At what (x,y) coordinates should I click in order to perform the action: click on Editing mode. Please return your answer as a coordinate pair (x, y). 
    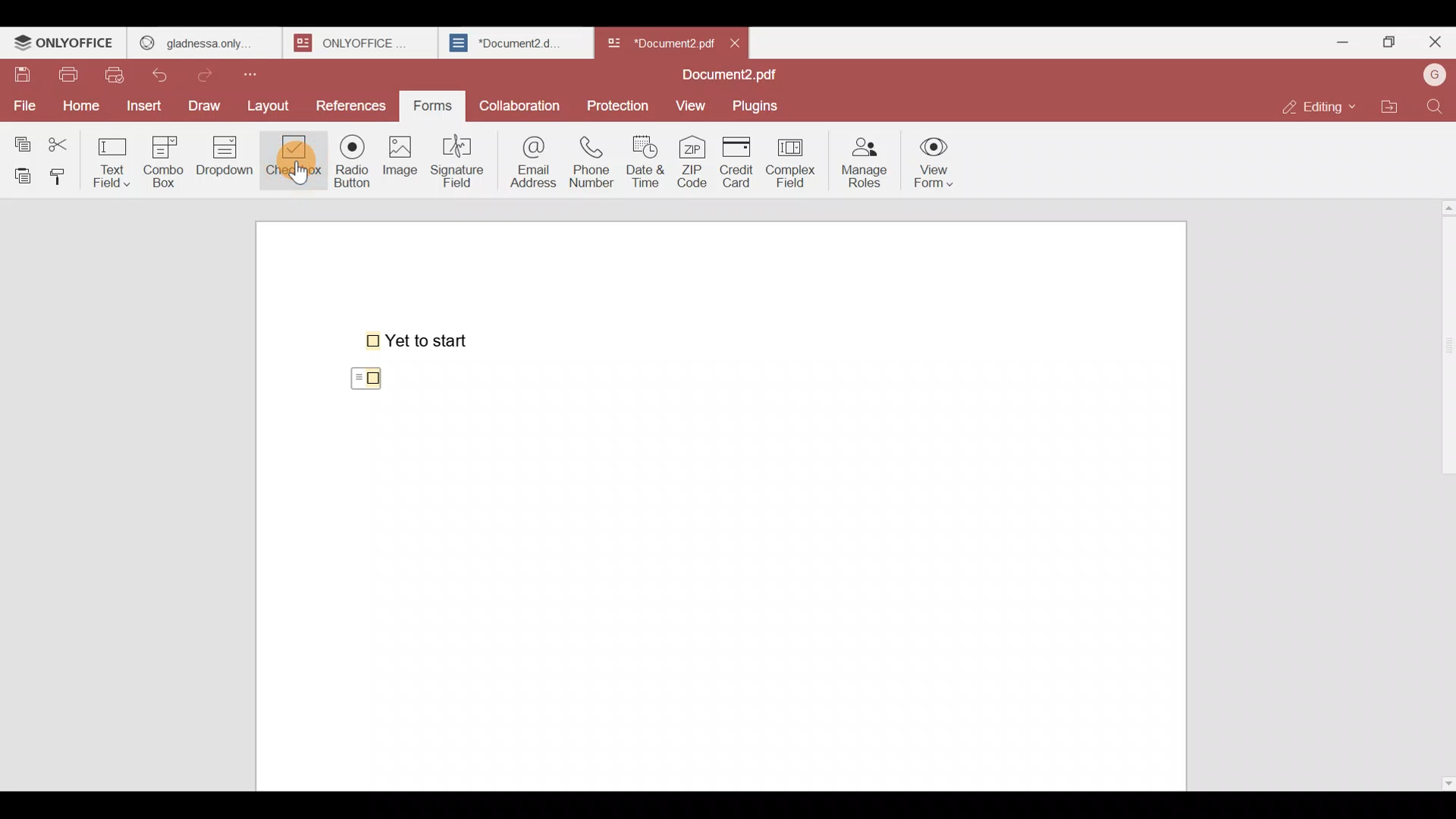
    Looking at the image, I should click on (1316, 107).